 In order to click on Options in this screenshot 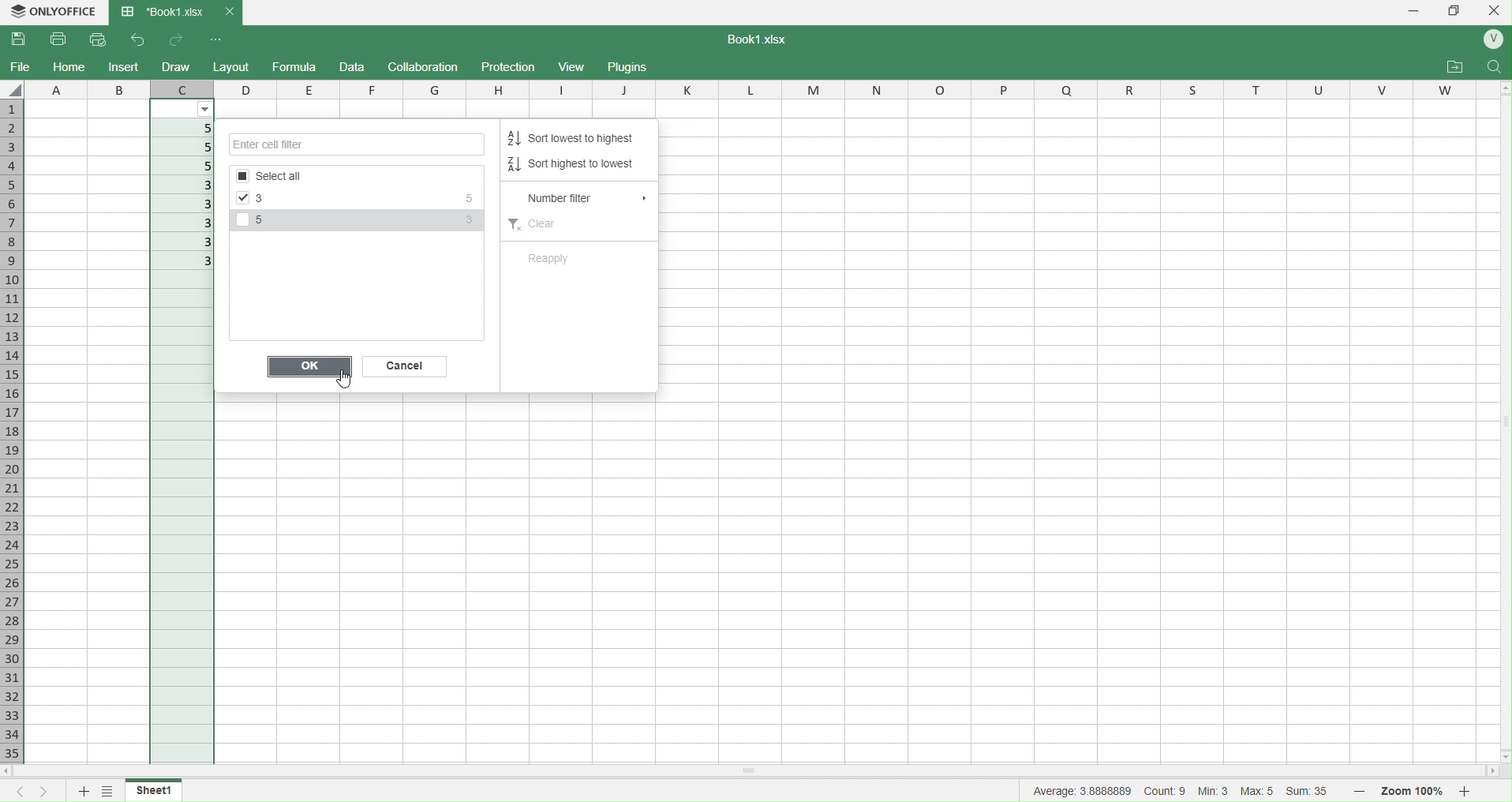, I will do `click(346, 177)`.